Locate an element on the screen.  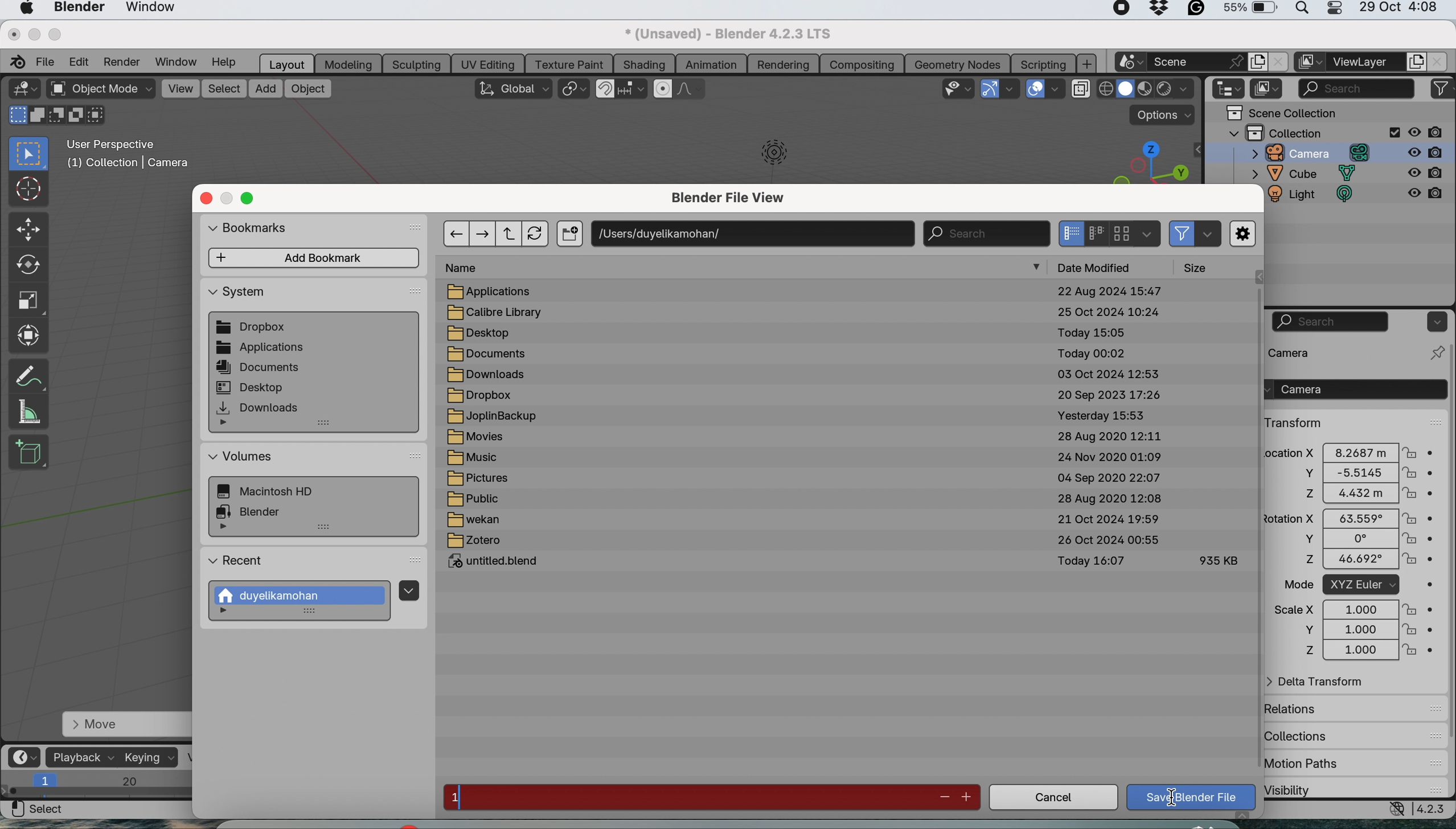
collapse is located at coordinates (1198, 150).